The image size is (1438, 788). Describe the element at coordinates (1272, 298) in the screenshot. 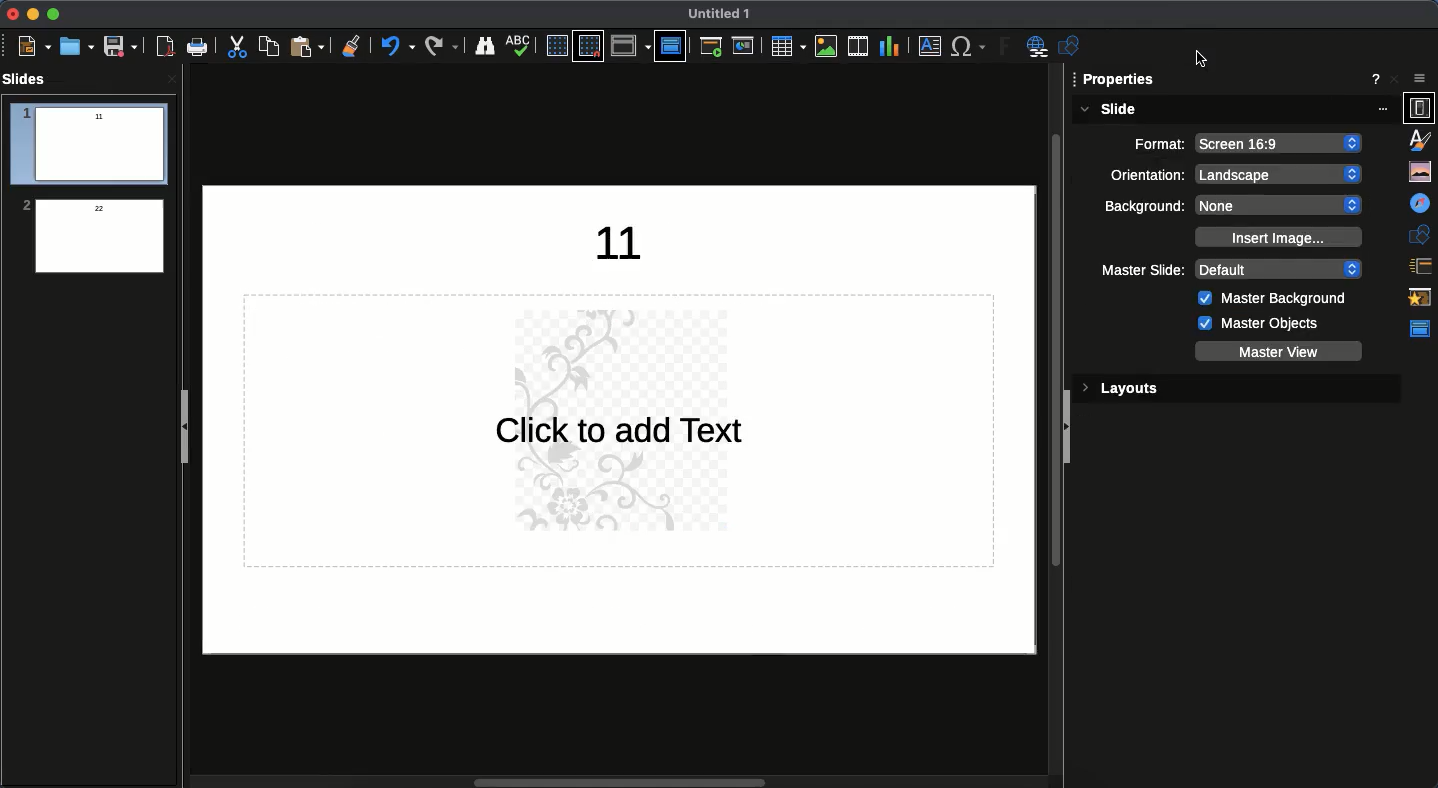

I see `Master background` at that location.